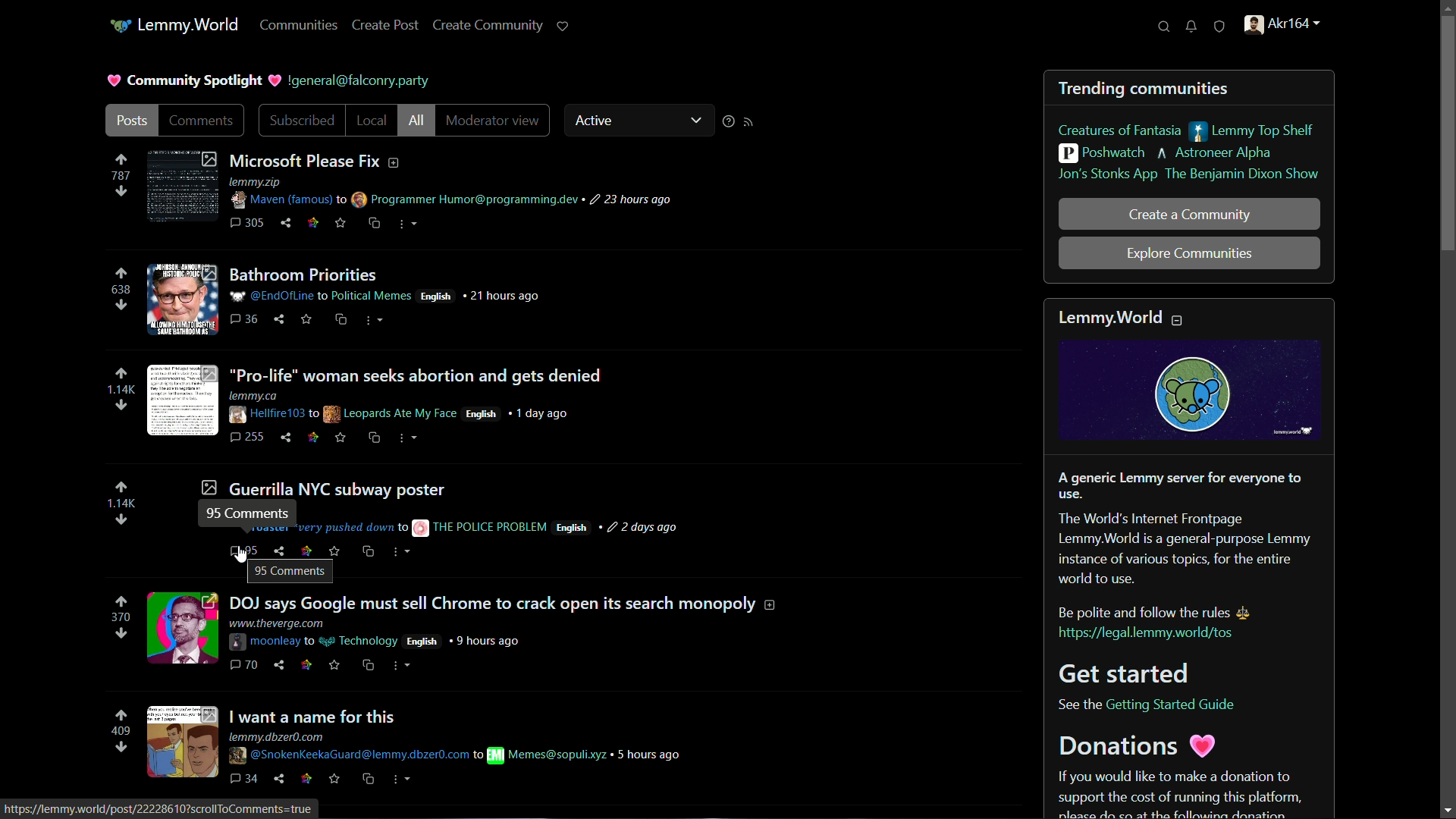 This screenshot has width=1456, height=819. I want to click on 255 comments, so click(247, 437).